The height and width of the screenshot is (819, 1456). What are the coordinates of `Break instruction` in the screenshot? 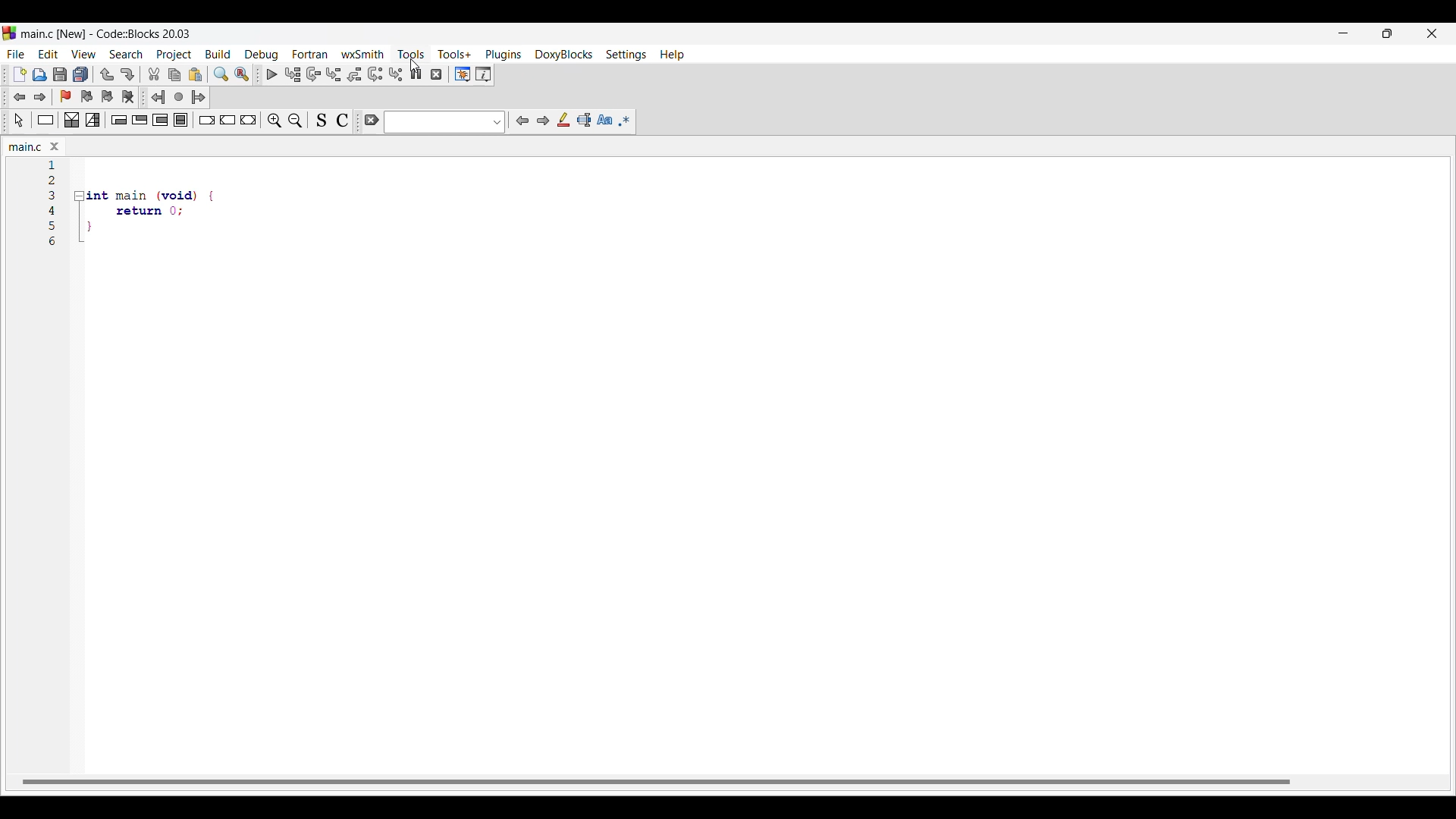 It's located at (207, 121).